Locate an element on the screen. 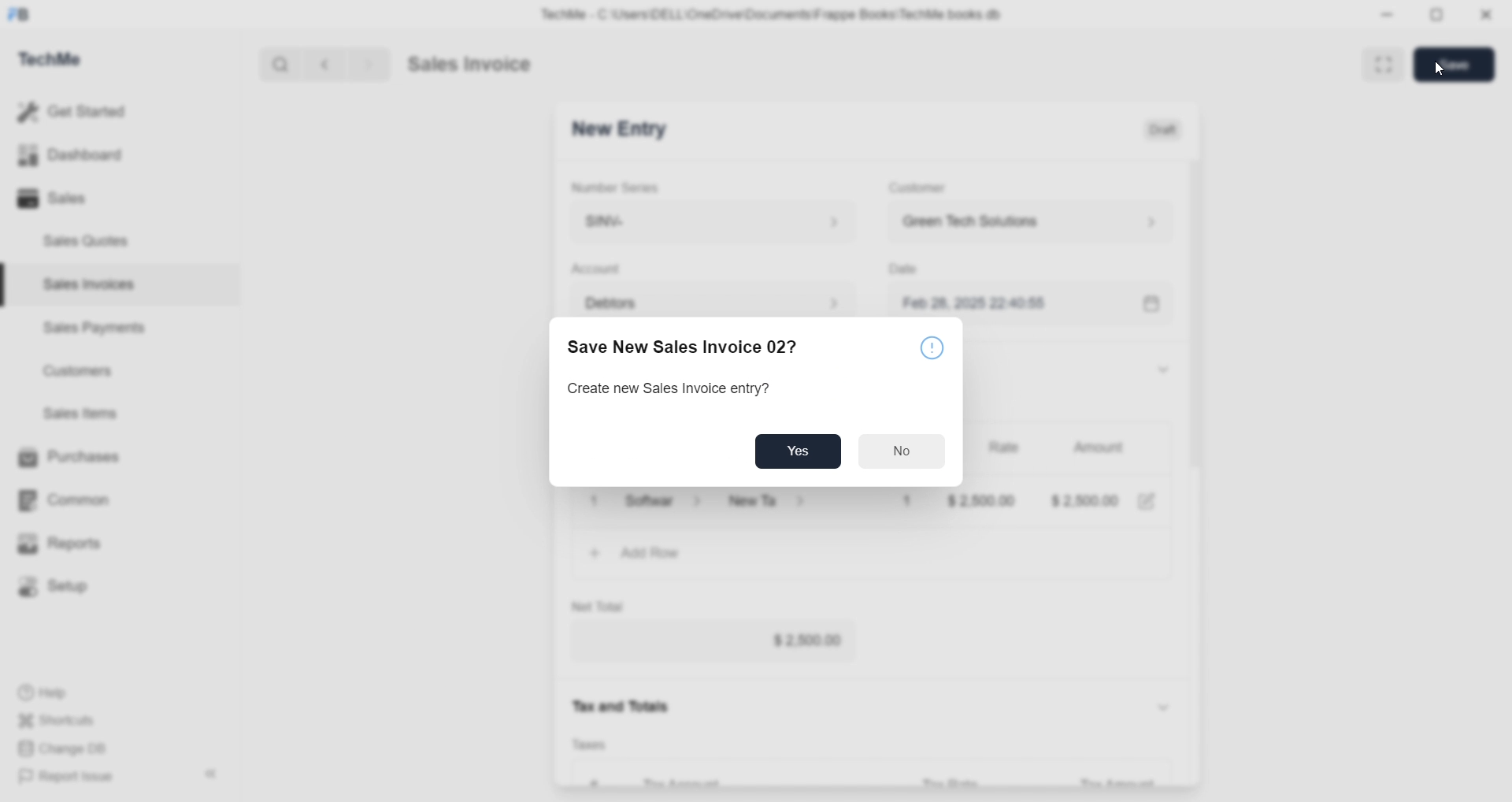 This screenshot has width=1512, height=802. cursor is located at coordinates (1438, 71).